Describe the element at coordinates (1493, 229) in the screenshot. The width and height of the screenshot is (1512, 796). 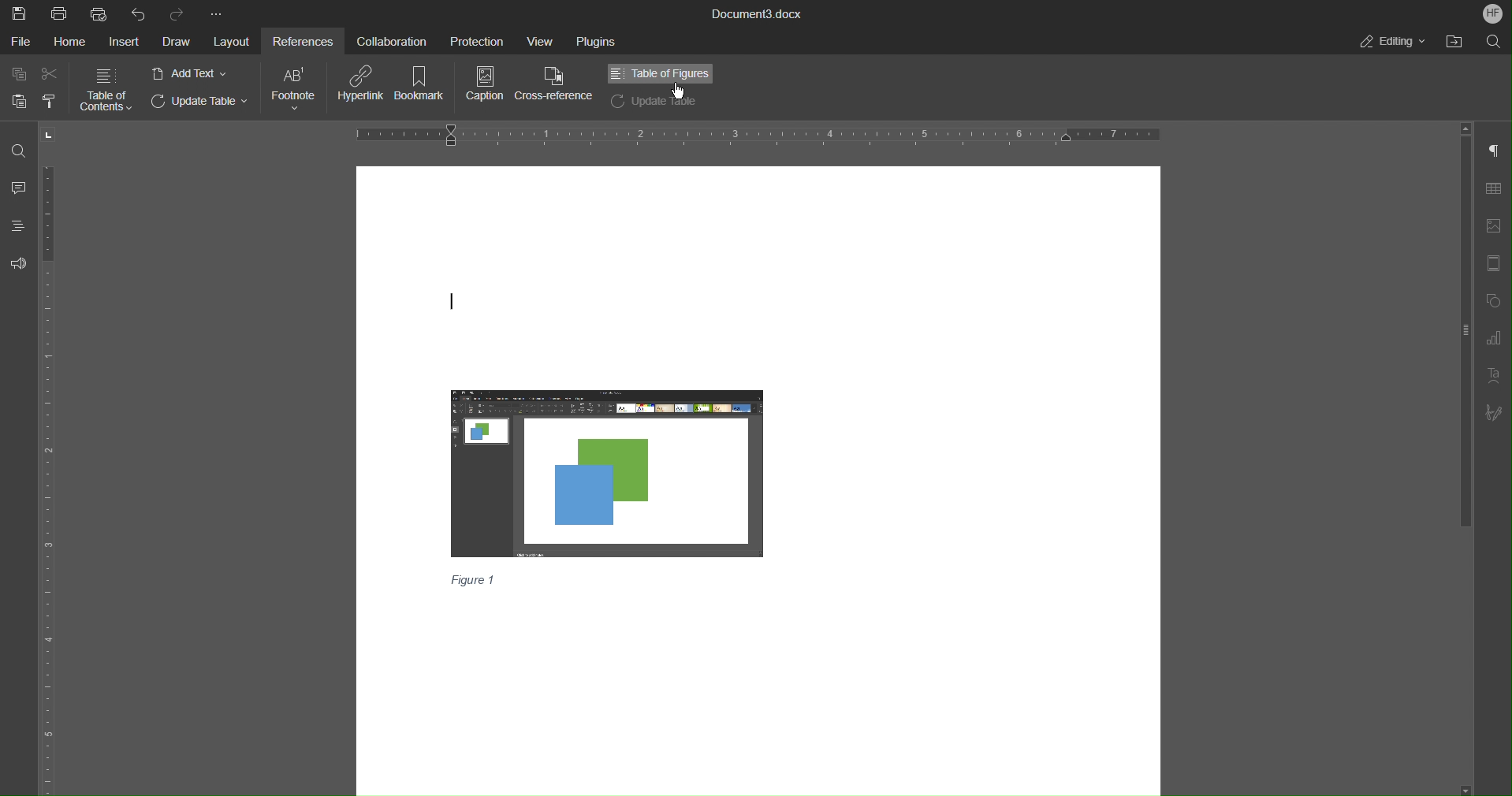
I see `Image Settings` at that location.